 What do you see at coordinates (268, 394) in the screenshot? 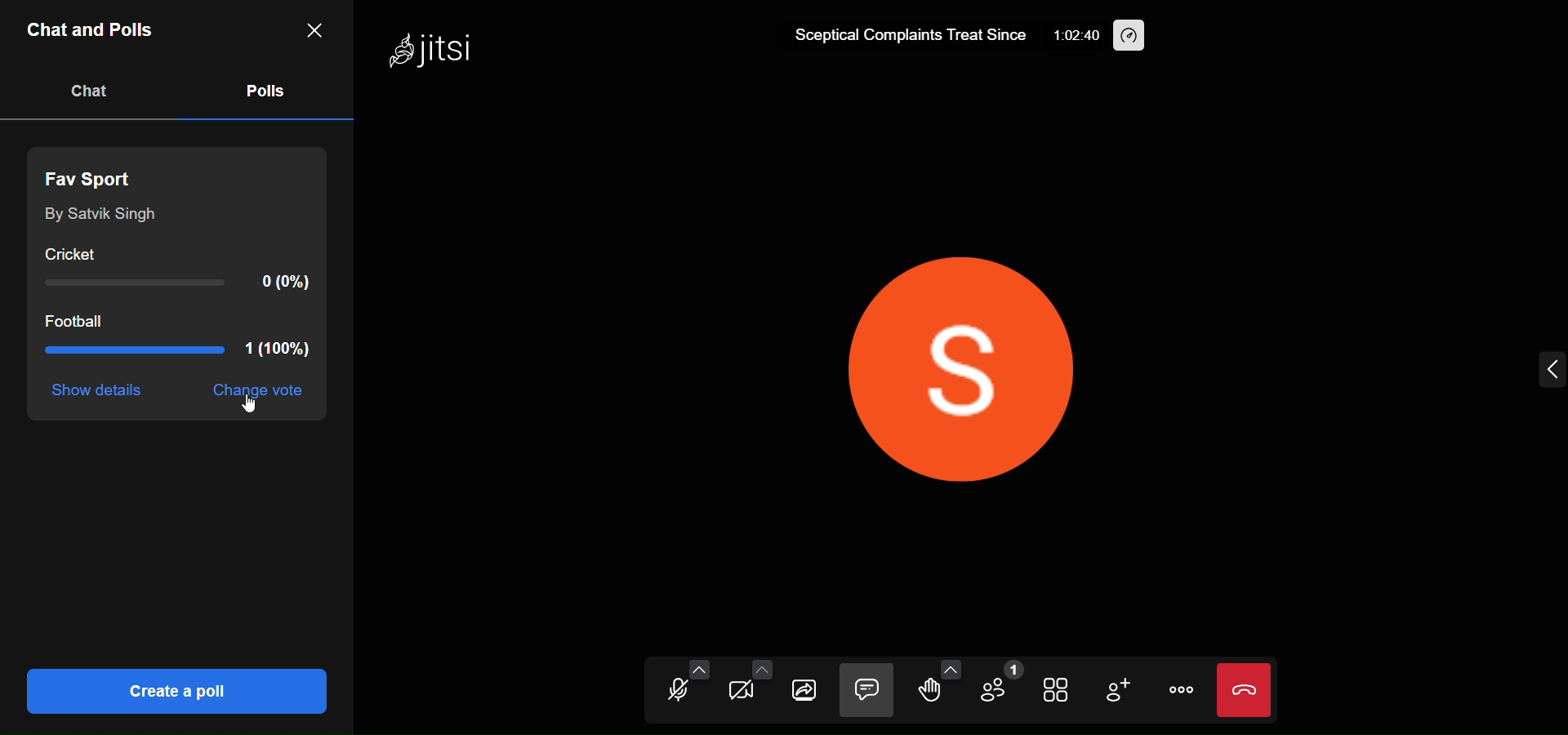
I see `change vote` at bounding box center [268, 394].